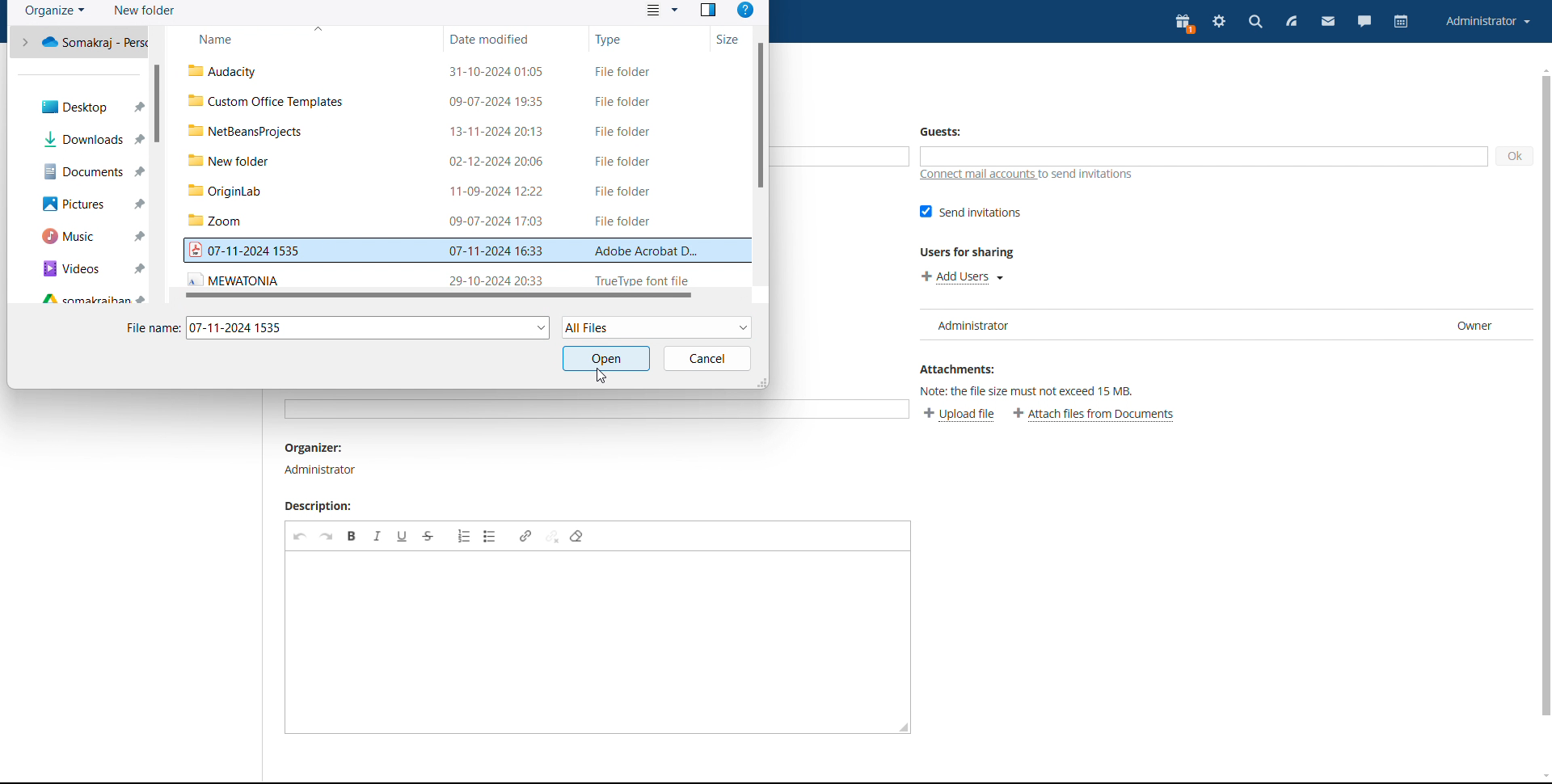 This screenshot has width=1552, height=784. I want to click on size, so click(730, 36).